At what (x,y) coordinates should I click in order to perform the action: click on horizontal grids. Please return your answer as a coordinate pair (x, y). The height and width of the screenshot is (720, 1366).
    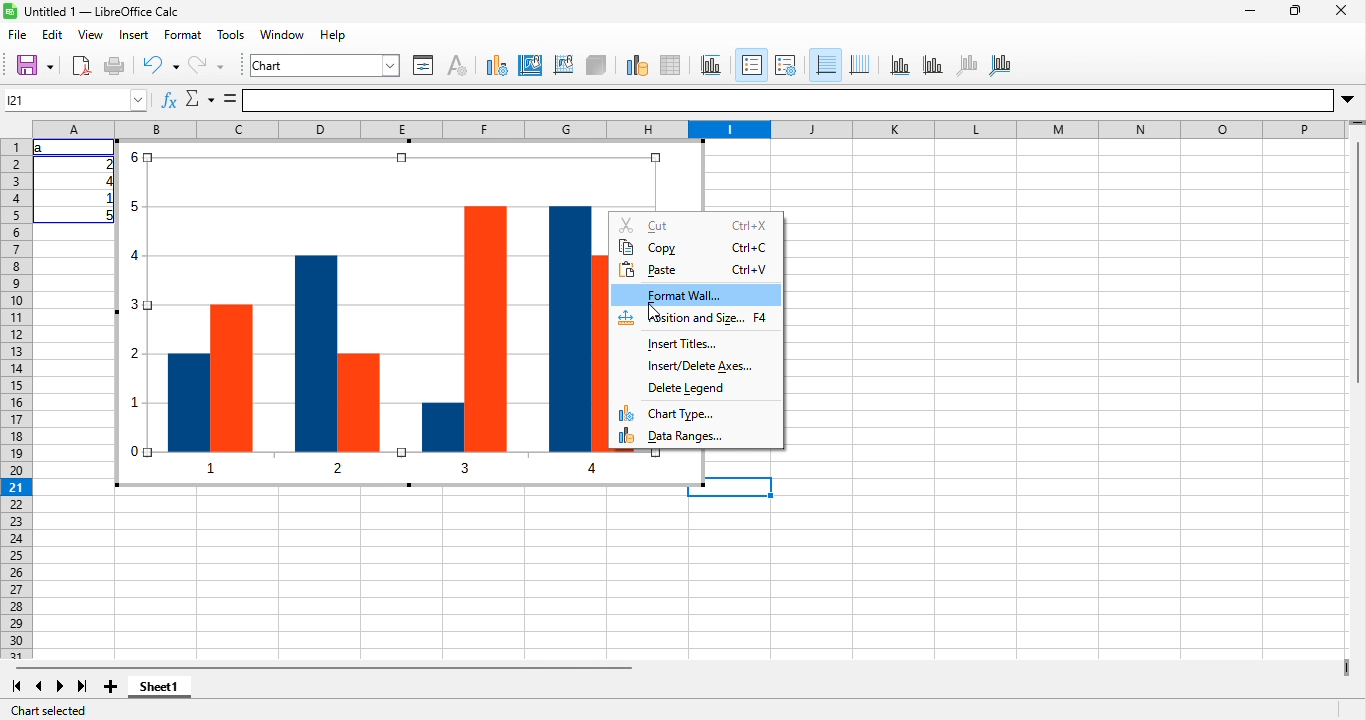
    Looking at the image, I should click on (825, 65).